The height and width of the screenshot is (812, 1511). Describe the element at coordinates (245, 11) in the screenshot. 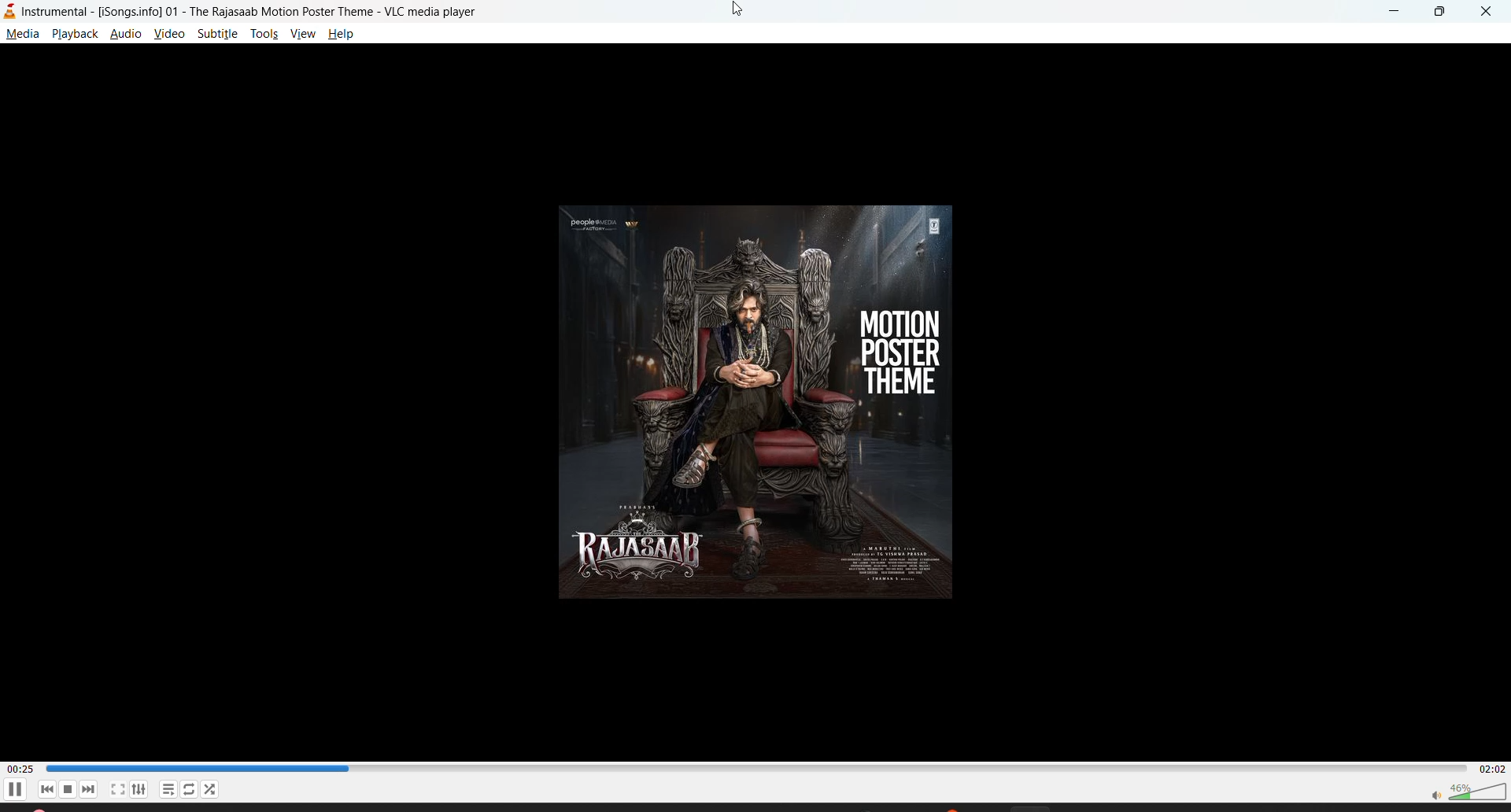

I see `Instrumental - [Songsinfo]01 - The Rajasaab Motion Poster Theme - VLC media player` at that location.